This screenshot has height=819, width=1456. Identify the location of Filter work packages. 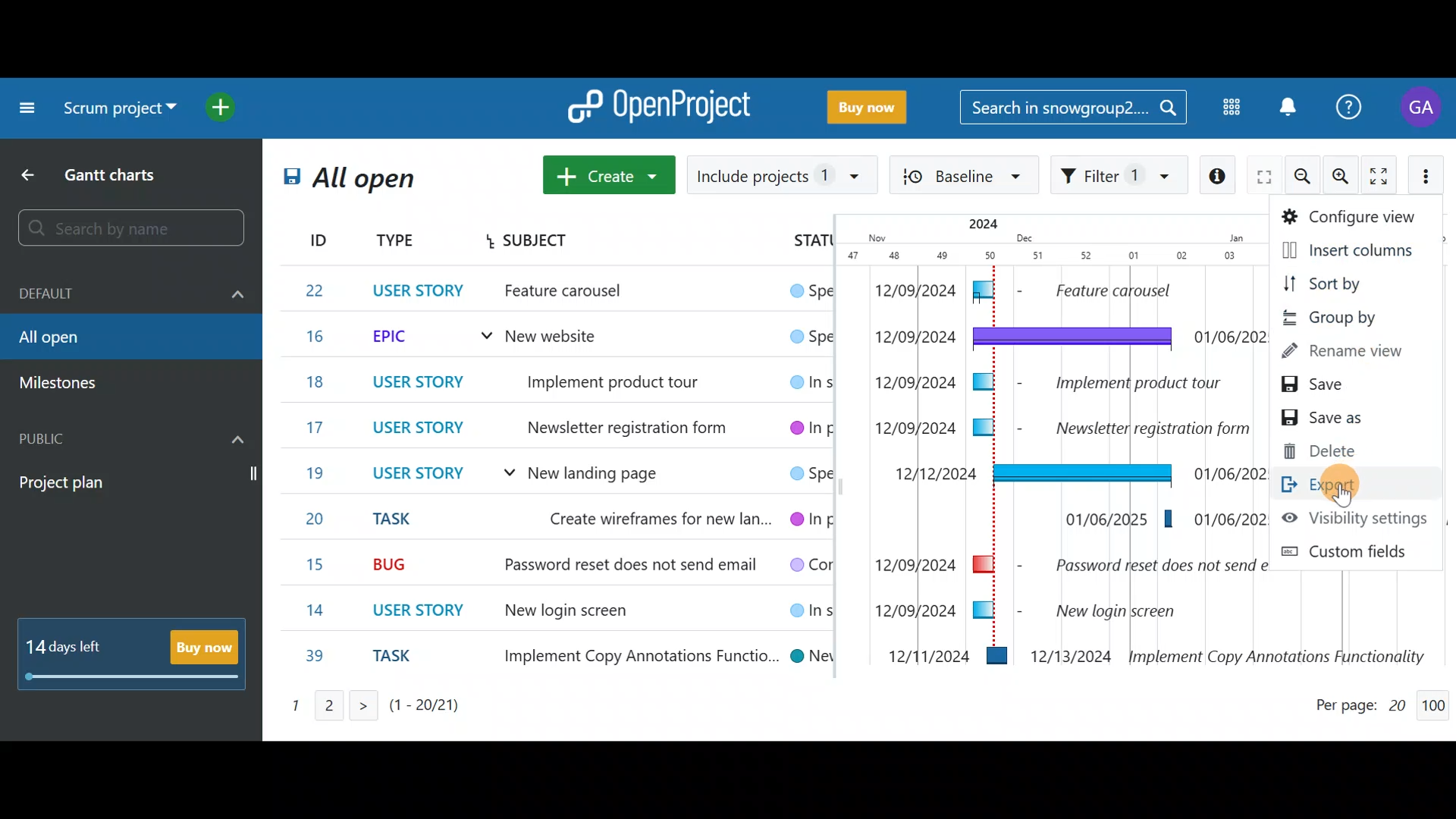
(1119, 177).